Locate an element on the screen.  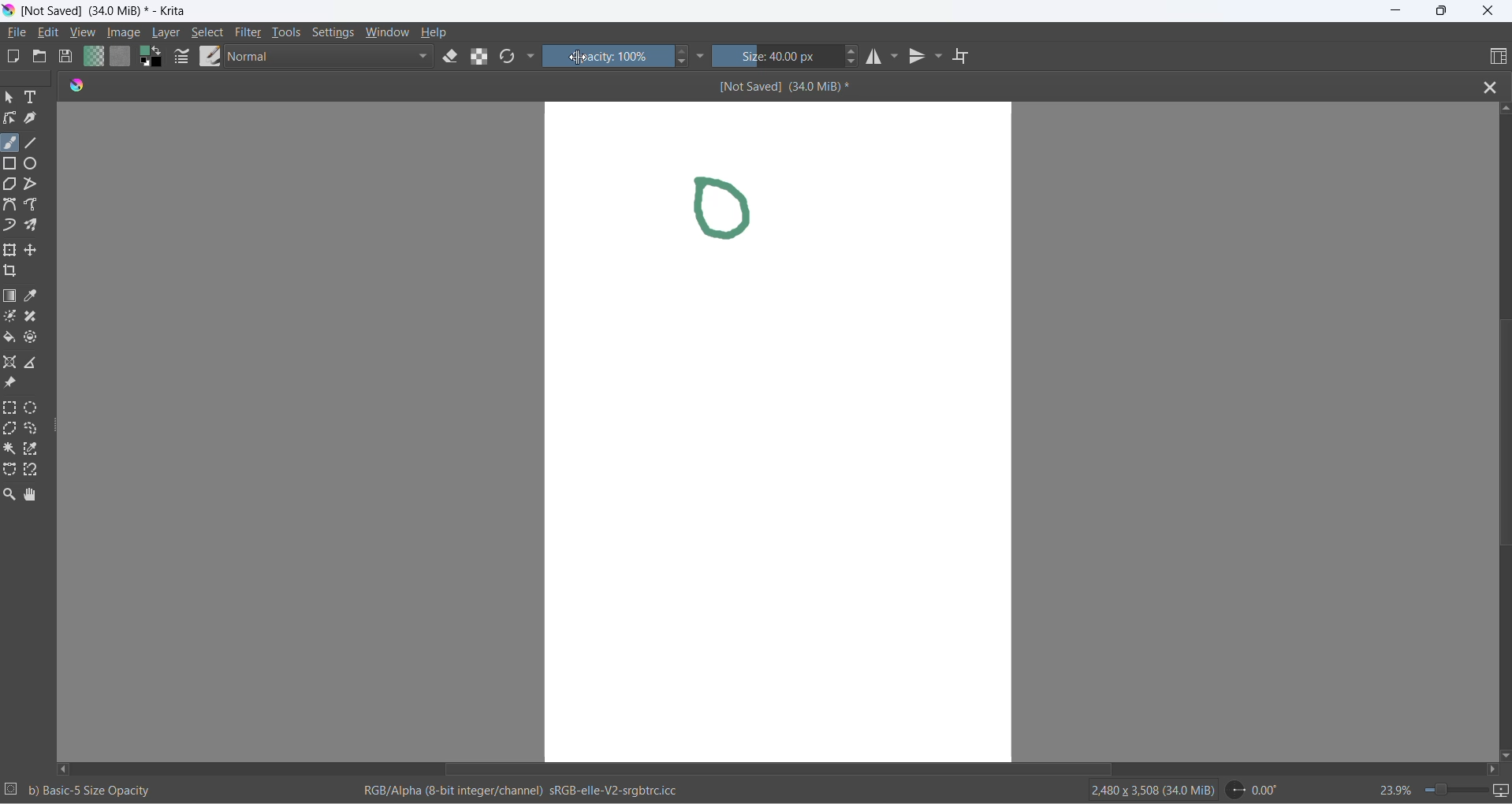
more settings dropdown button is located at coordinates (533, 59).